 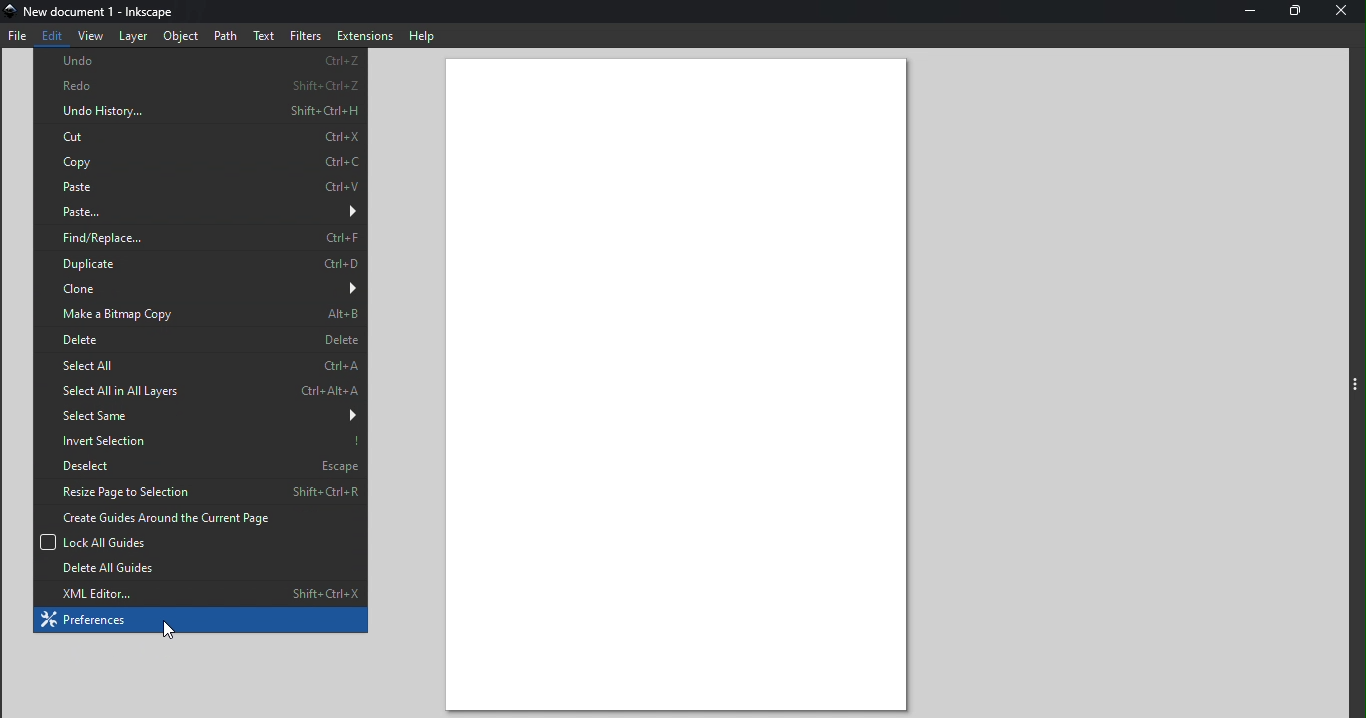 What do you see at coordinates (197, 63) in the screenshot?
I see `Undo` at bounding box center [197, 63].